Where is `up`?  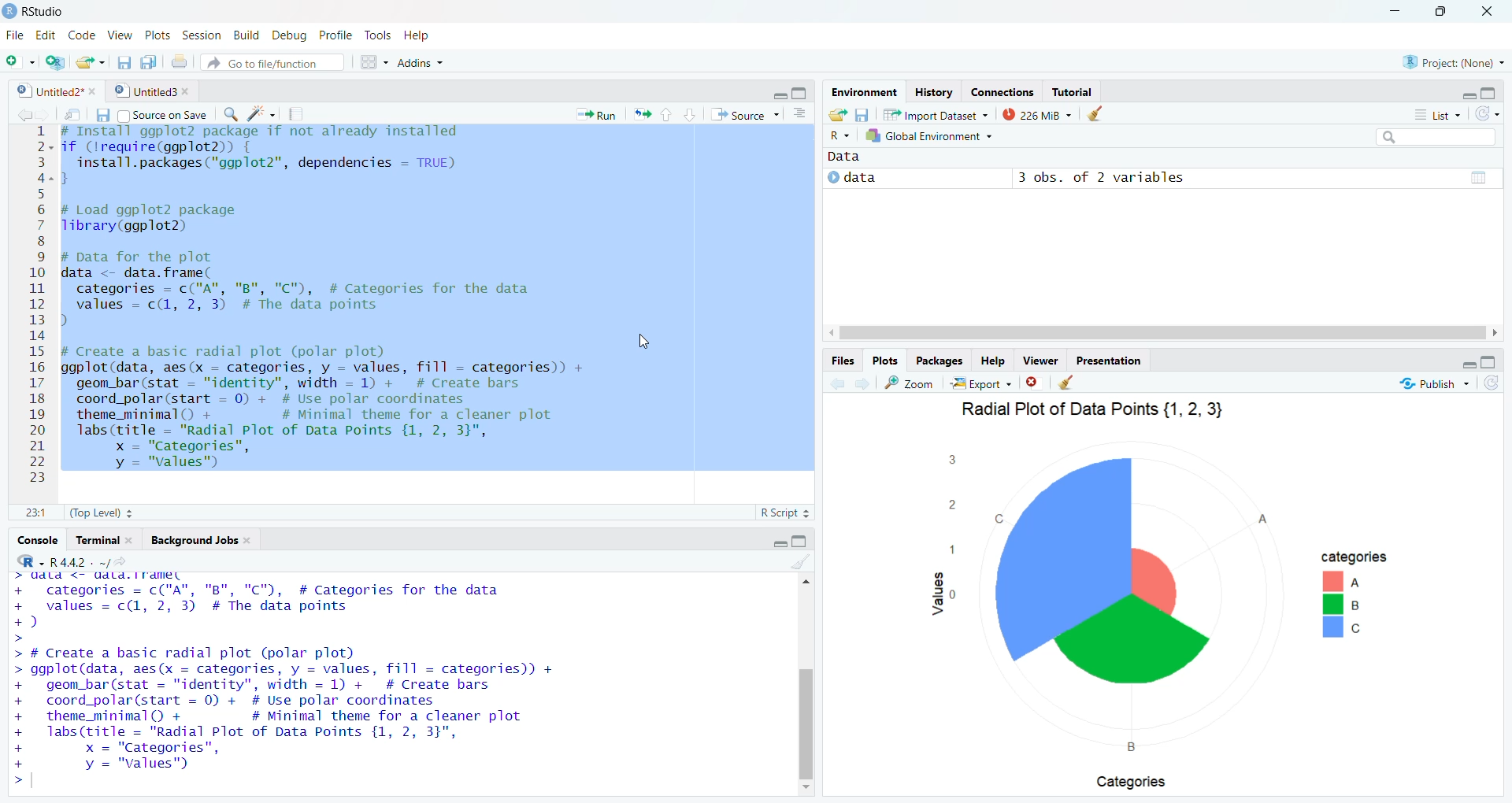 up is located at coordinates (666, 114).